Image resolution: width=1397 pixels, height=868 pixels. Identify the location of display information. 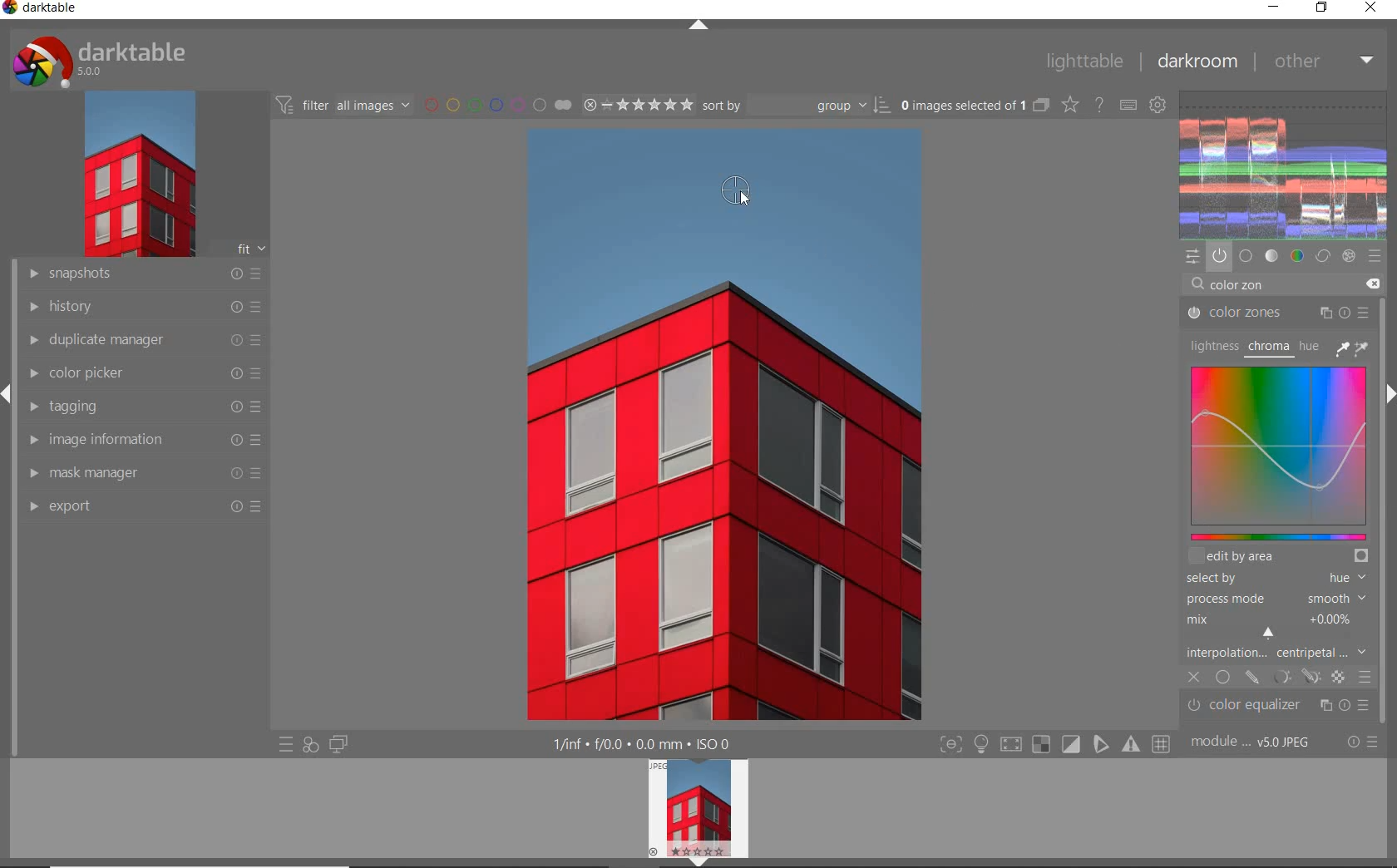
(643, 744).